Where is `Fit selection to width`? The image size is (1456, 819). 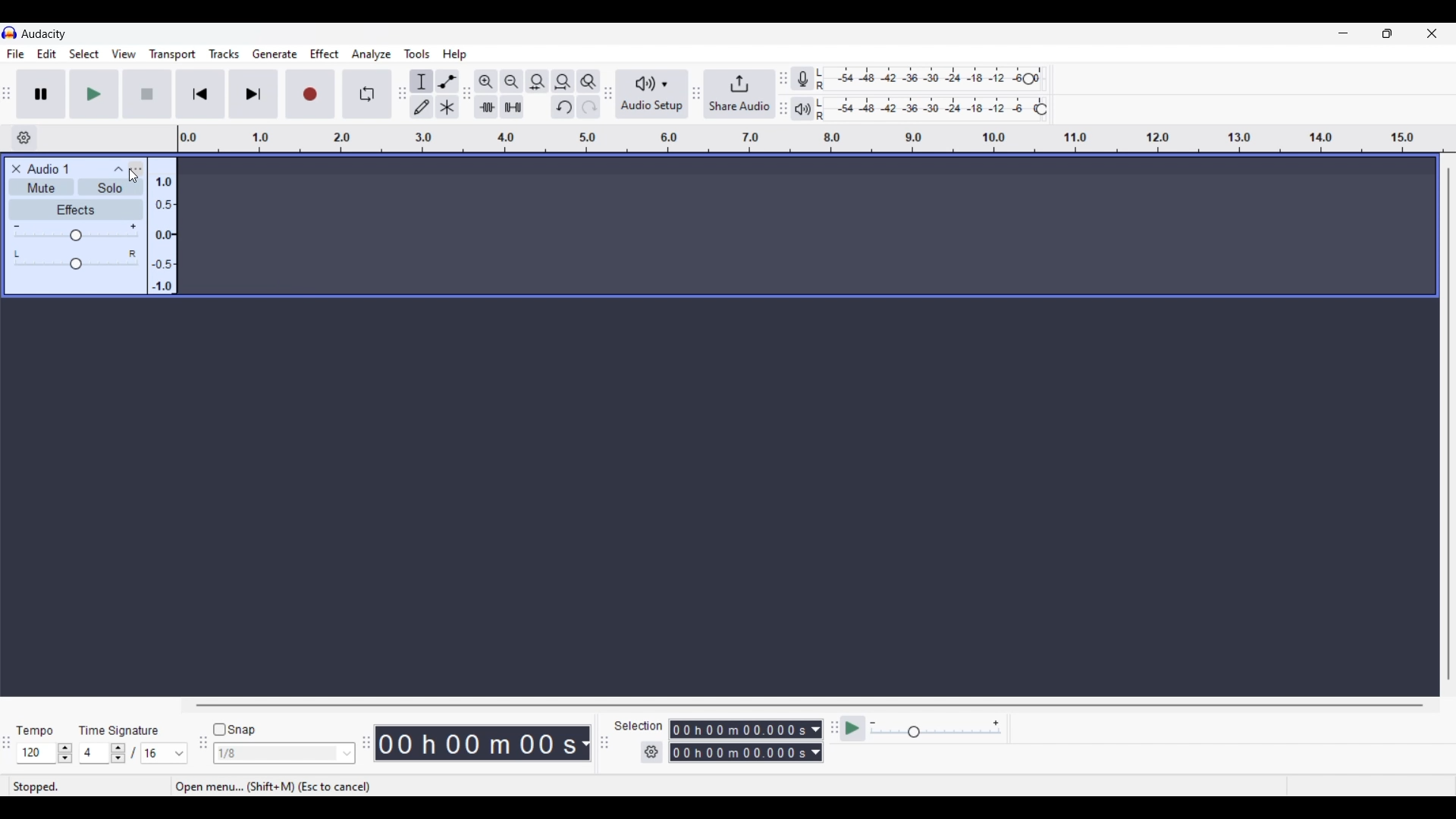
Fit selection to width is located at coordinates (537, 82).